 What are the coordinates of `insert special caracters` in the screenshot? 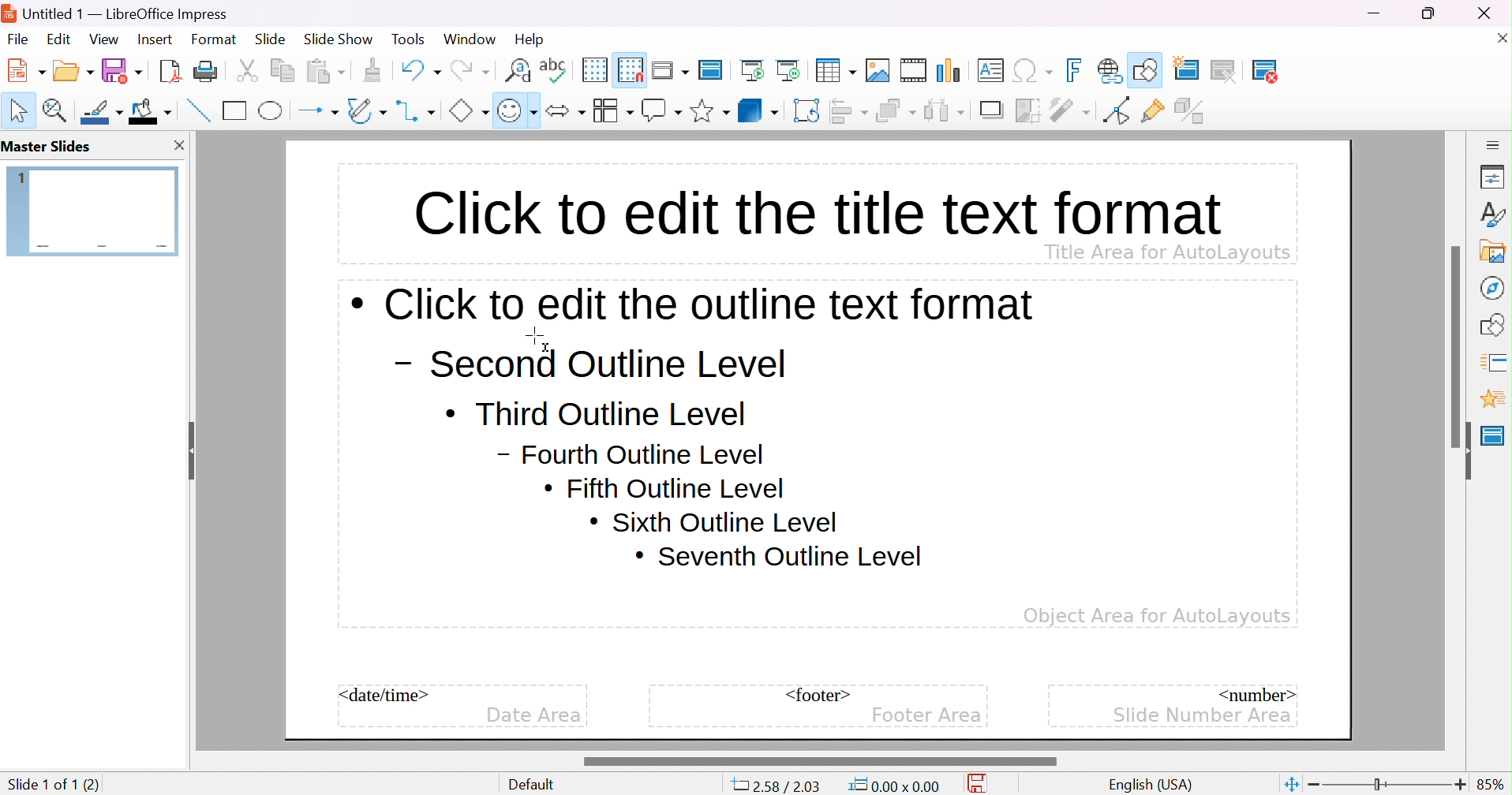 It's located at (1033, 71).